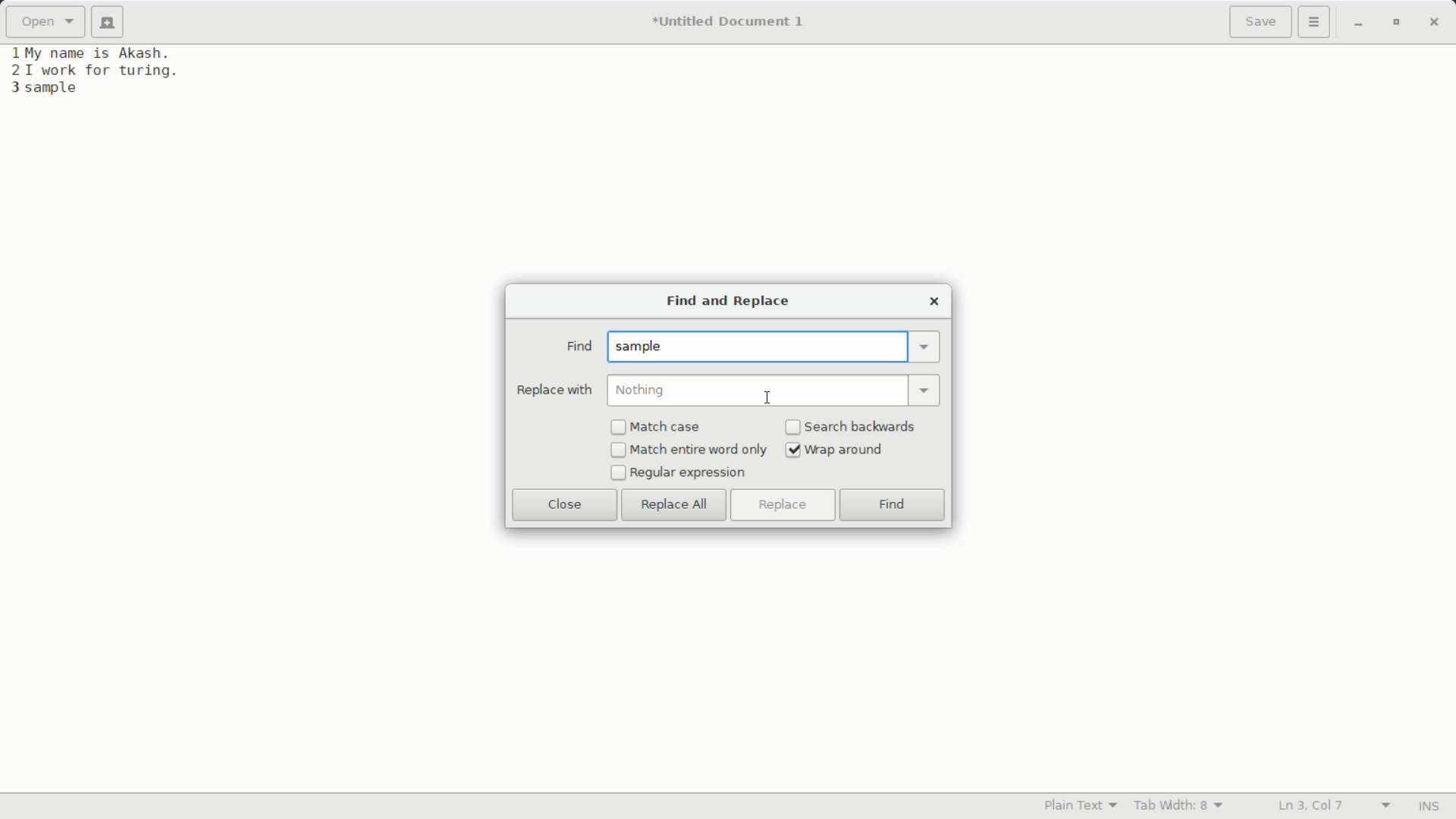 This screenshot has width=1456, height=819. I want to click on close, so click(934, 301).